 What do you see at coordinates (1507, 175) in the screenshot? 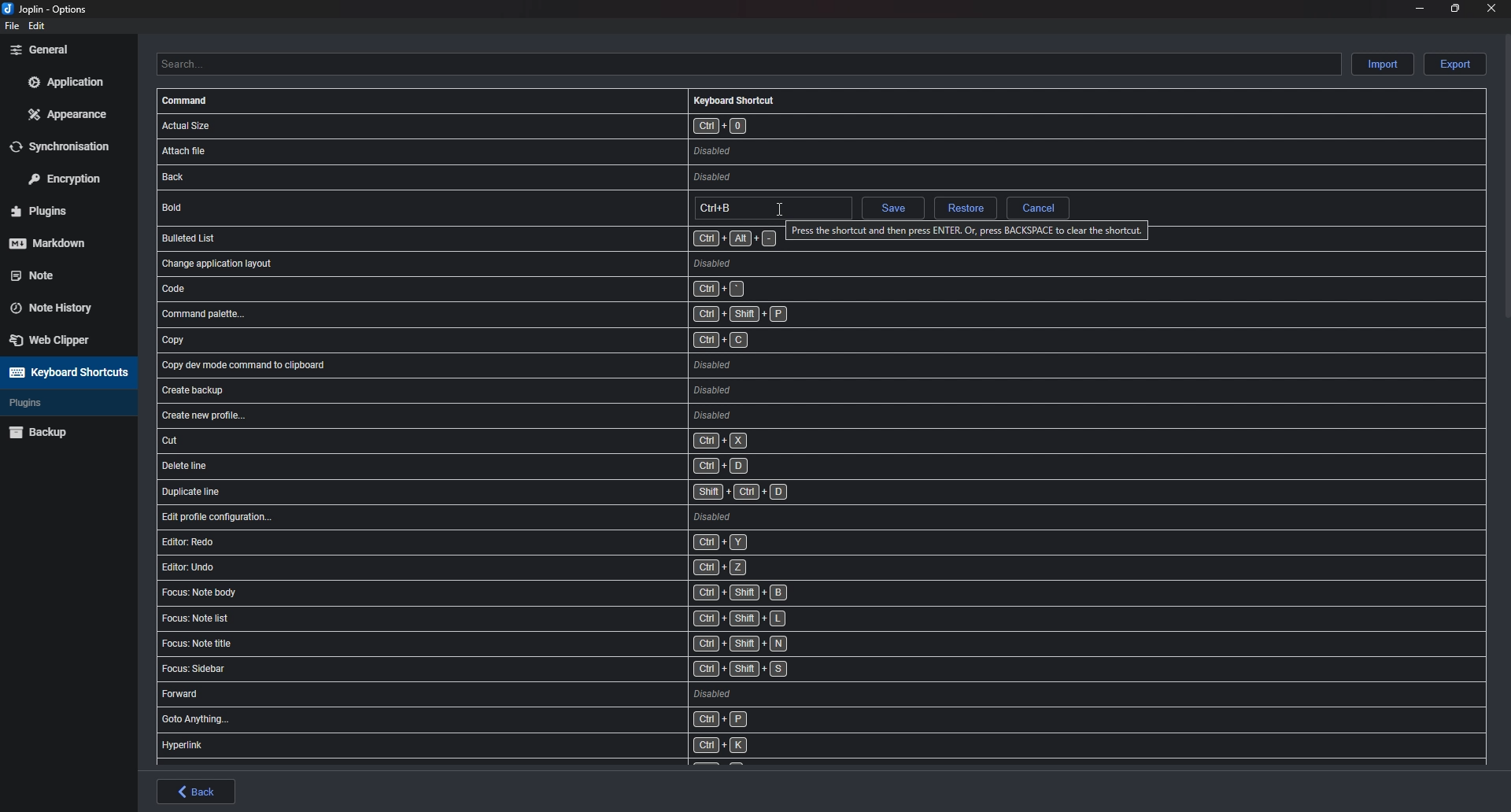
I see `scroll bar` at bounding box center [1507, 175].